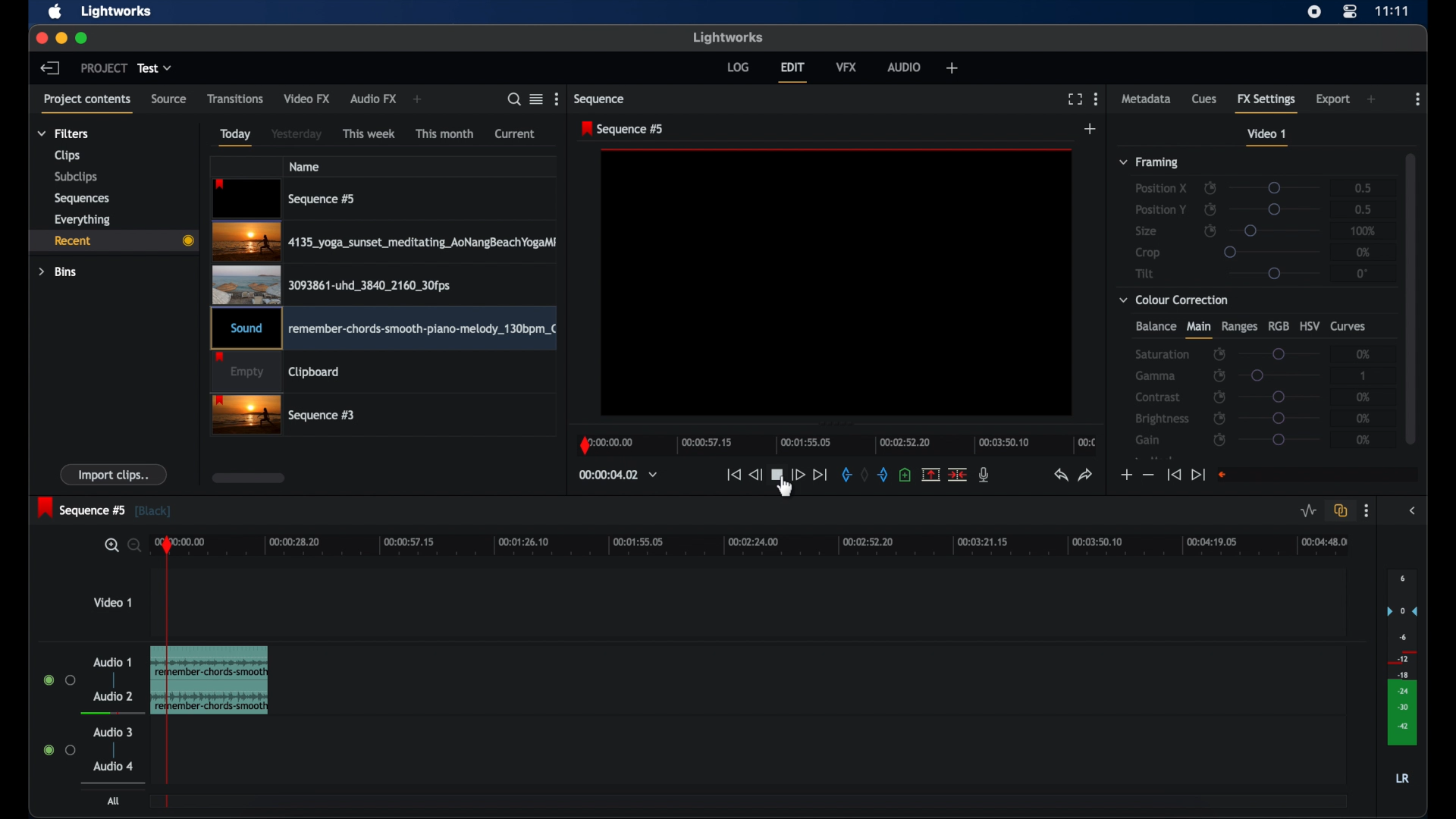 The width and height of the screenshot is (1456, 819). Describe the element at coordinates (1061, 475) in the screenshot. I see `undo` at that location.